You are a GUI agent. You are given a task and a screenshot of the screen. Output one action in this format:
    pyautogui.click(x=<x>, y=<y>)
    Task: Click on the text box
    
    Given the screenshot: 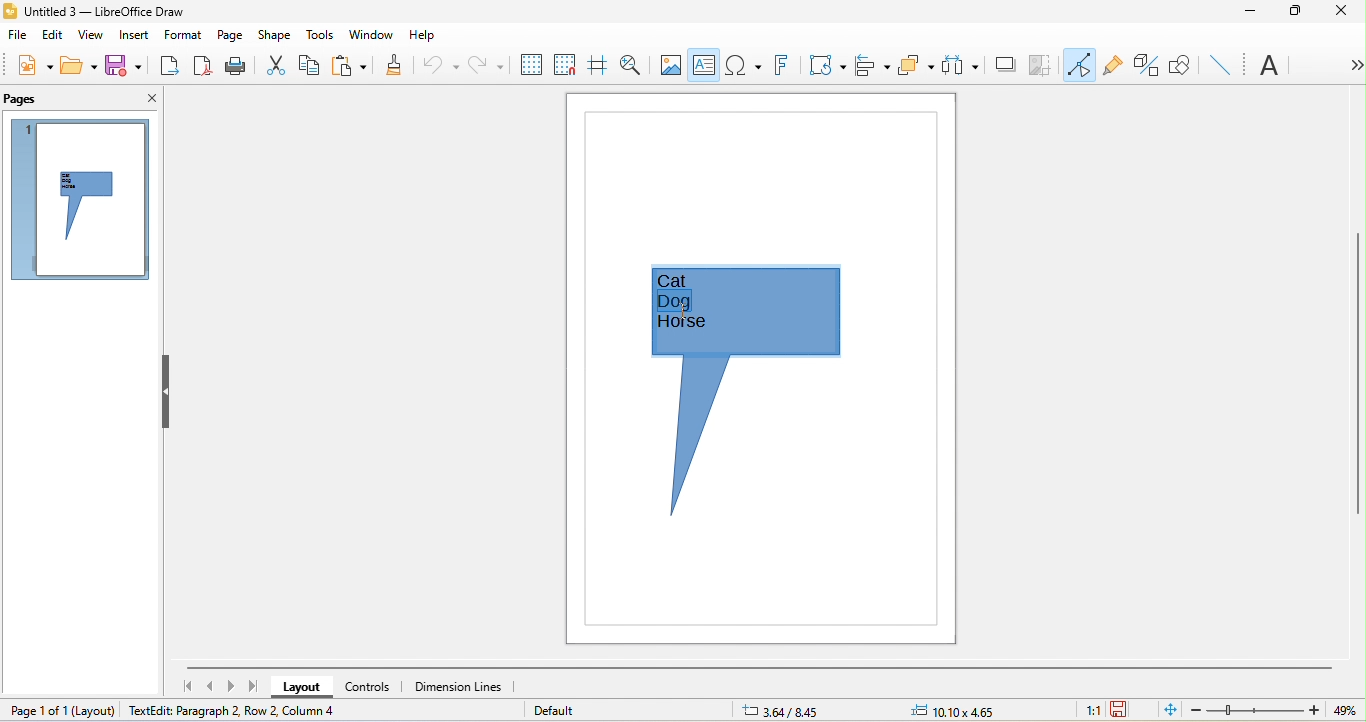 What is the action you would take?
    pyautogui.click(x=704, y=67)
    